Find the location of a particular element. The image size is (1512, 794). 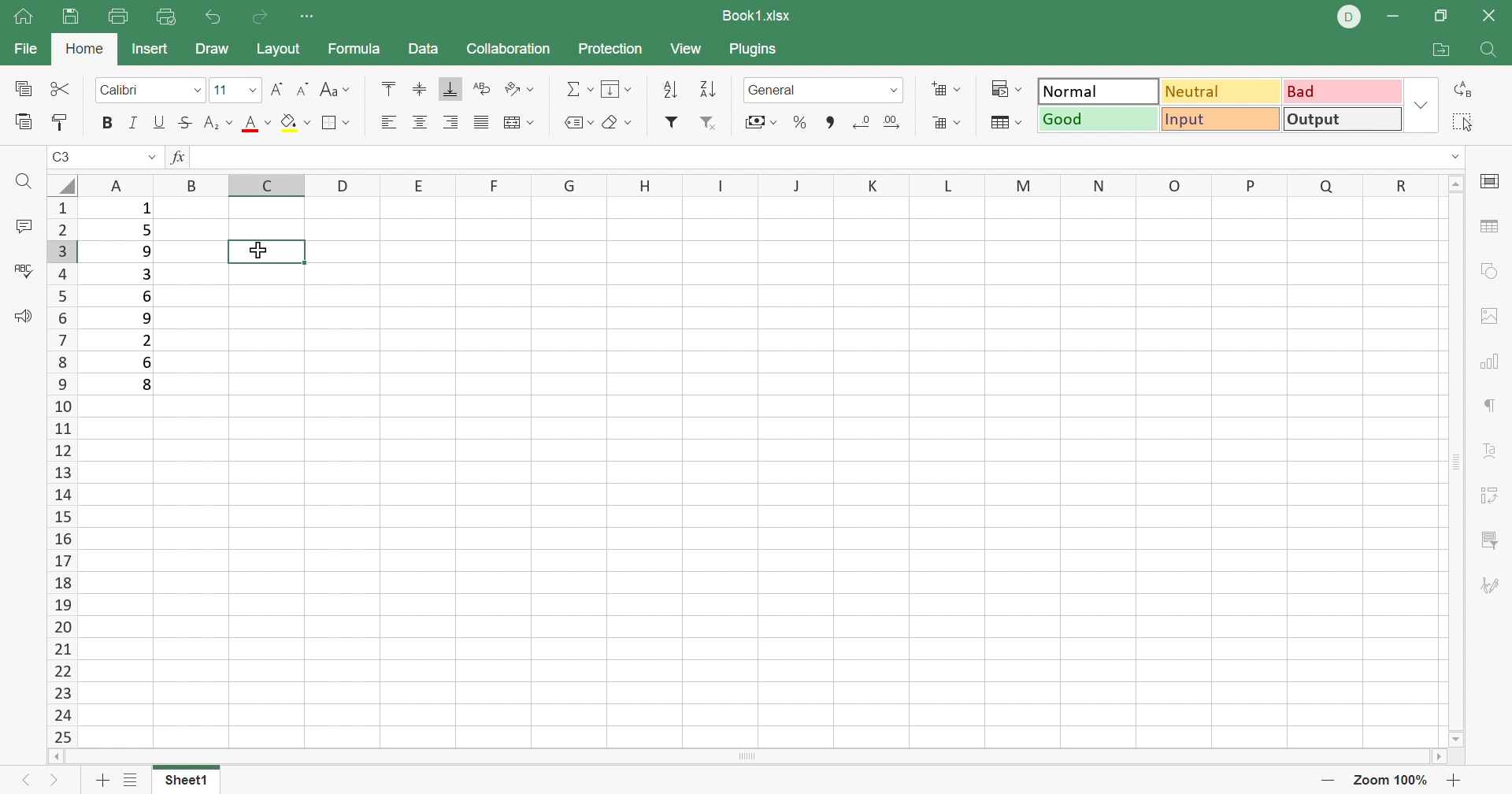

6 is located at coordinates (148, 362).